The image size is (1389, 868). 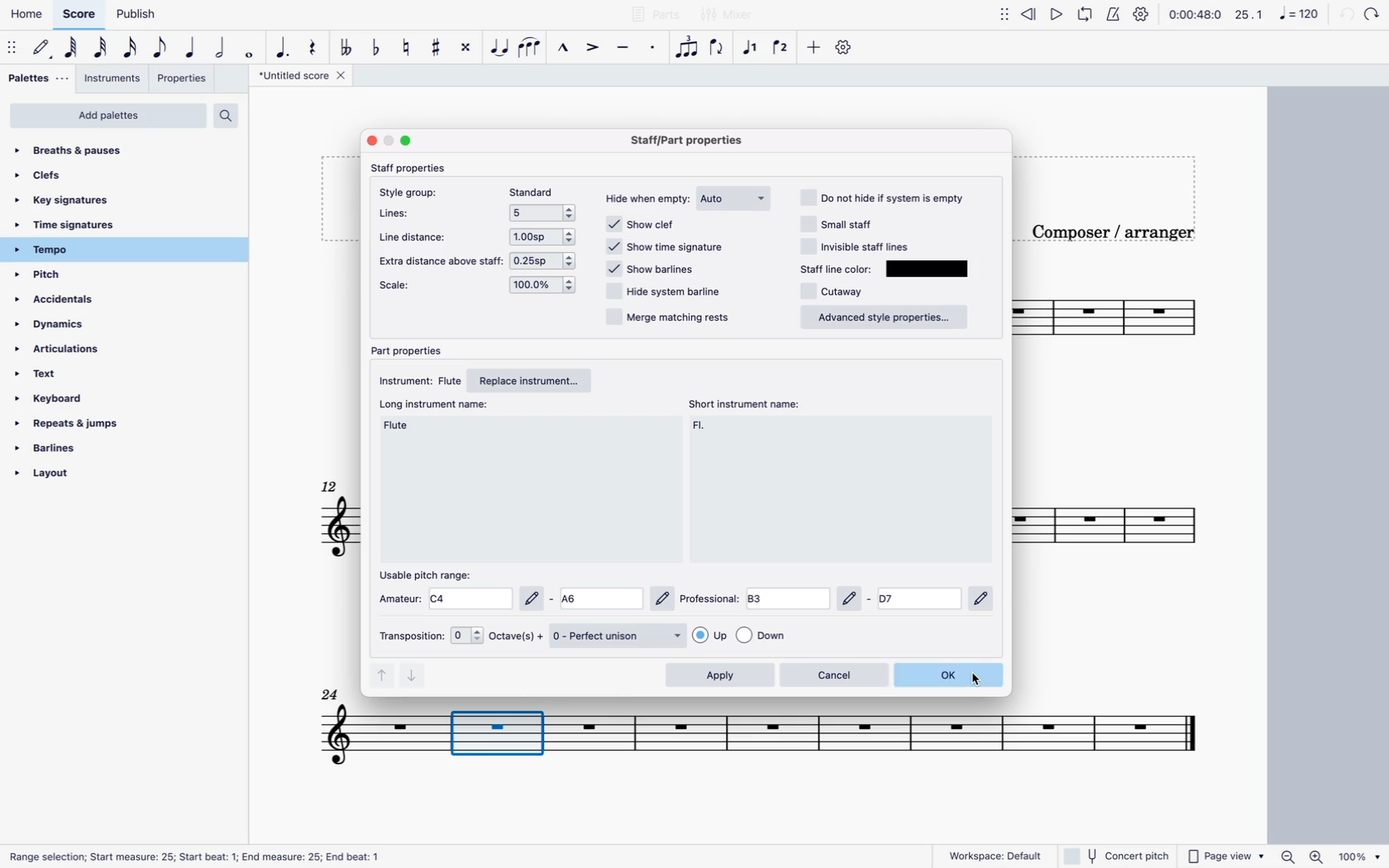 I want to click on staff line color, so click(x=837, y=268).